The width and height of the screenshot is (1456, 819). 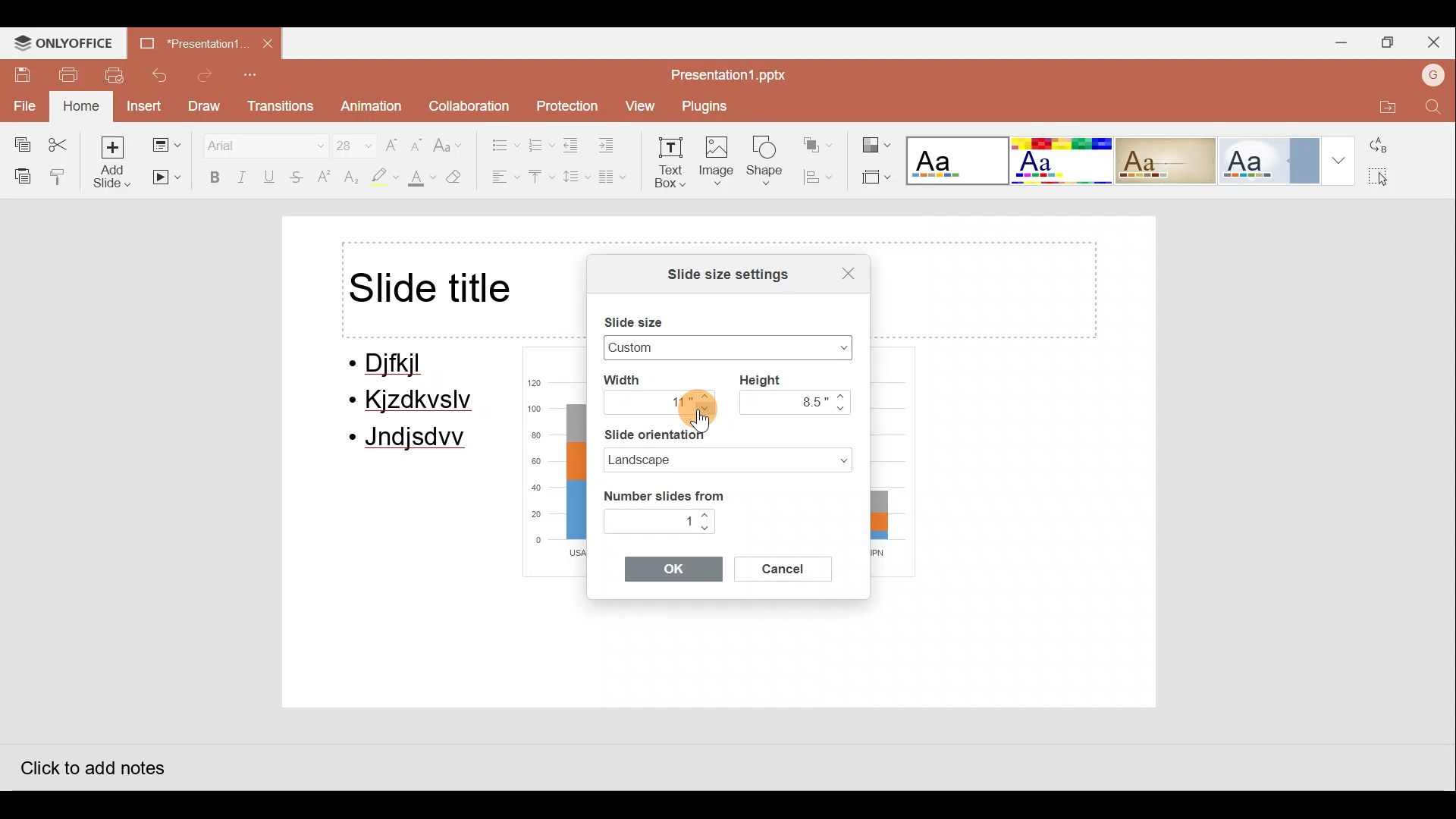 I want to click on 11, so click(x=647, y=403).